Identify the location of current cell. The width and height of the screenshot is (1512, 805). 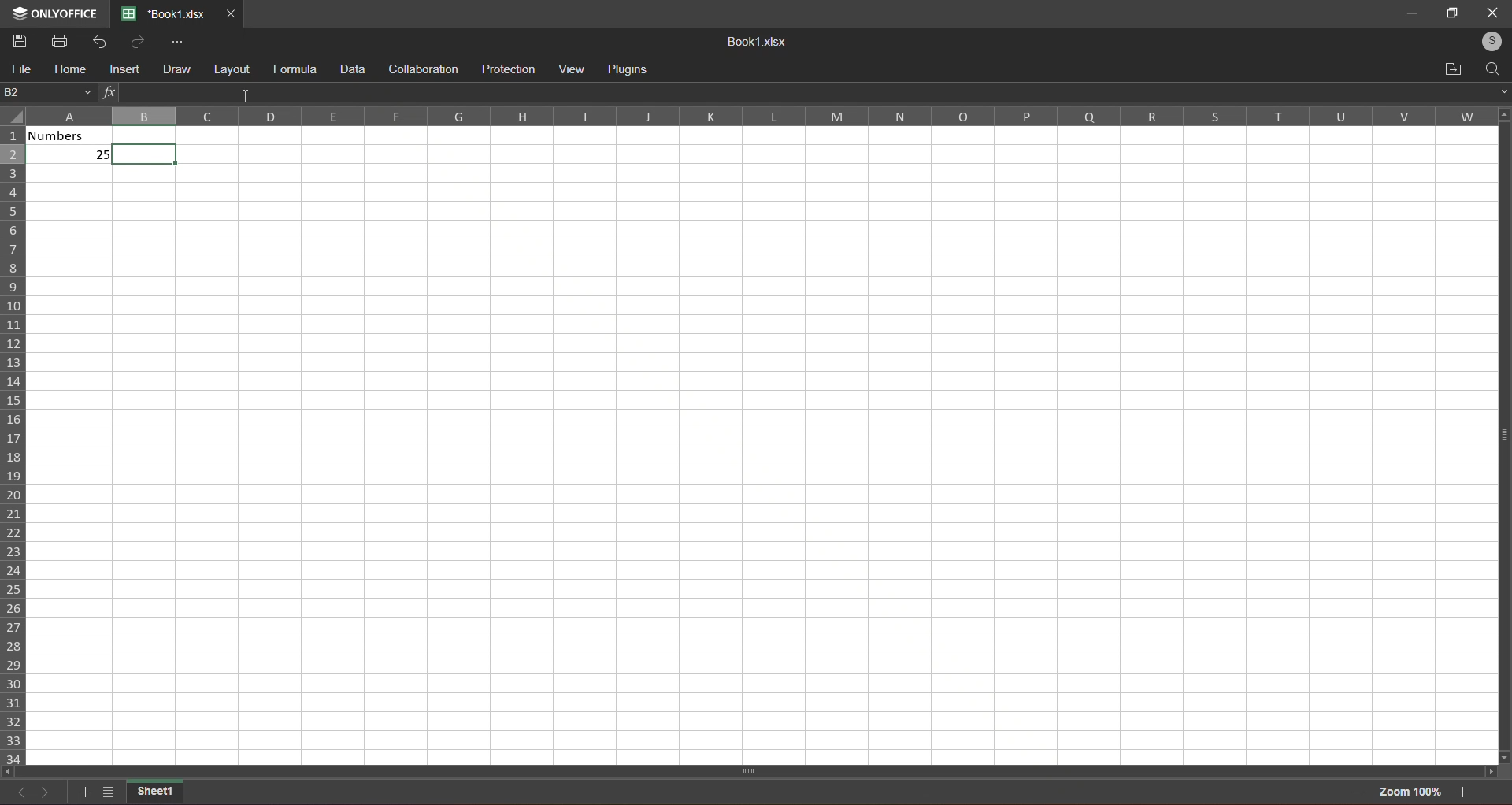
(47, 93).